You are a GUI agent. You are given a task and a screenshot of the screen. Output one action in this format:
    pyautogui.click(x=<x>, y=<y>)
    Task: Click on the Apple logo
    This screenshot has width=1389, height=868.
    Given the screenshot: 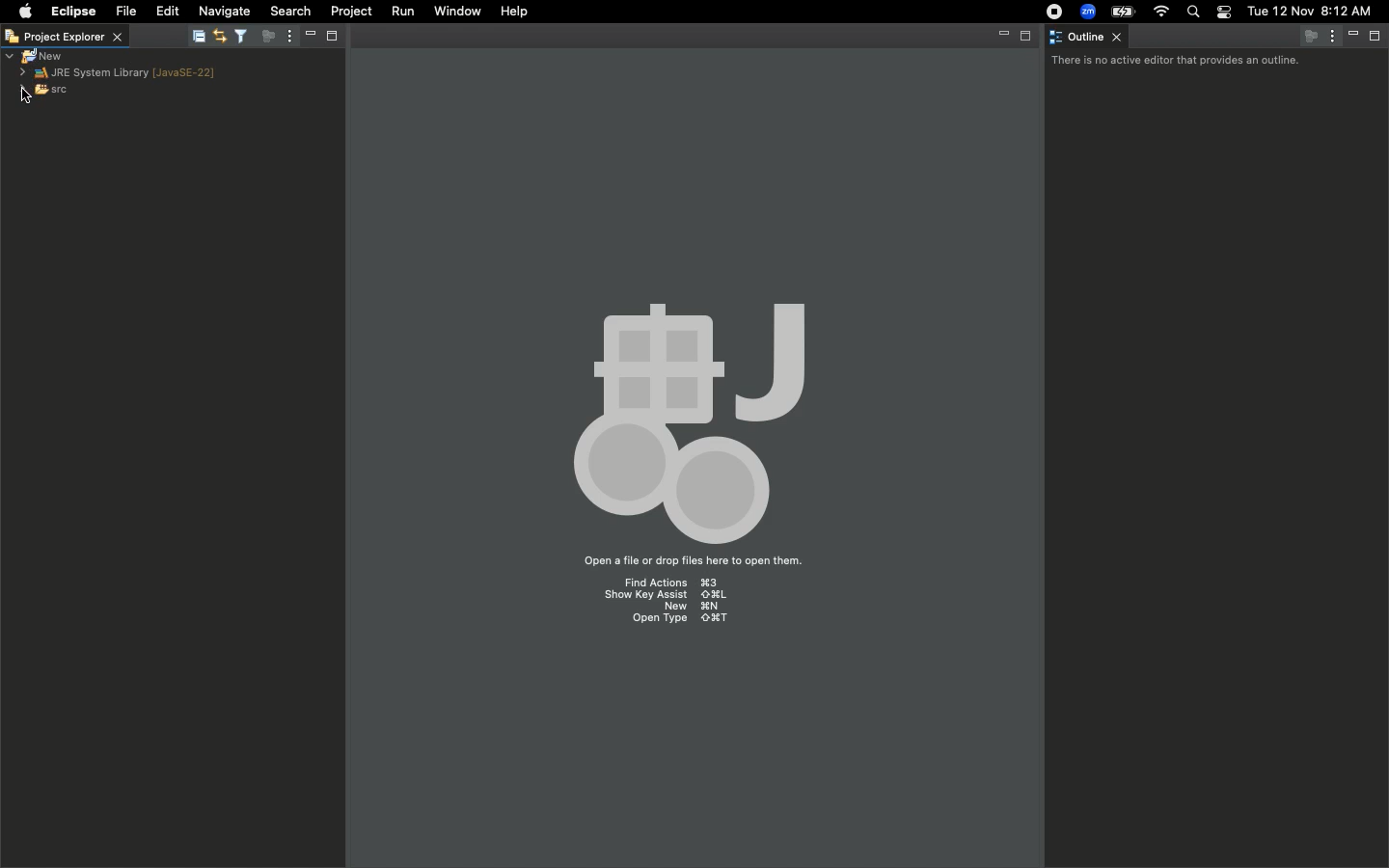 What is the action you would take?
    pyautogui.click(x=24, y=13)
    